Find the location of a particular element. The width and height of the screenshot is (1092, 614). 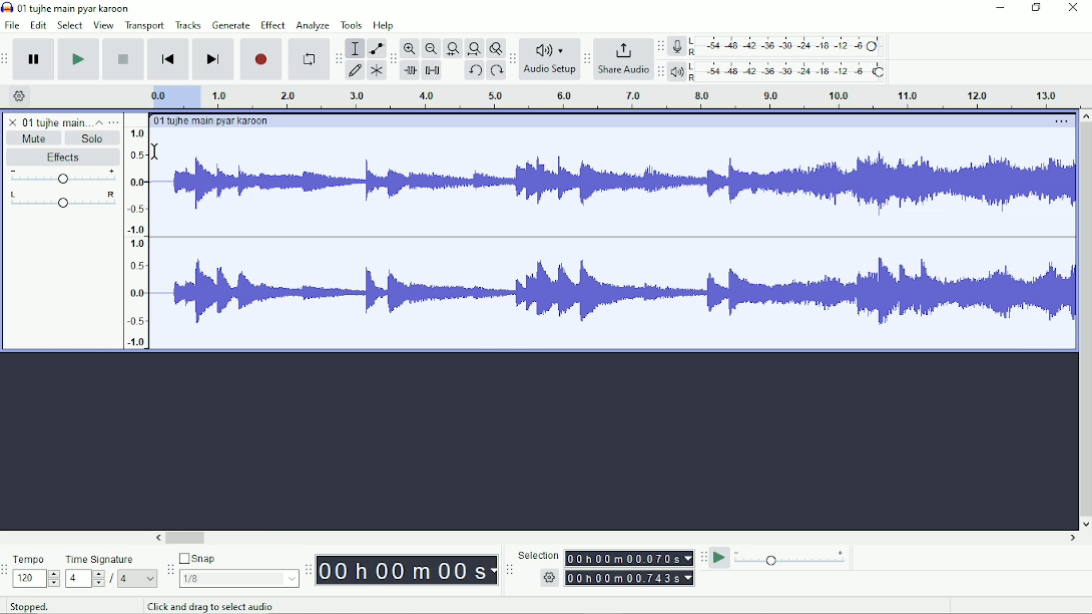

Zoom In is located at coordinates (411, 48).